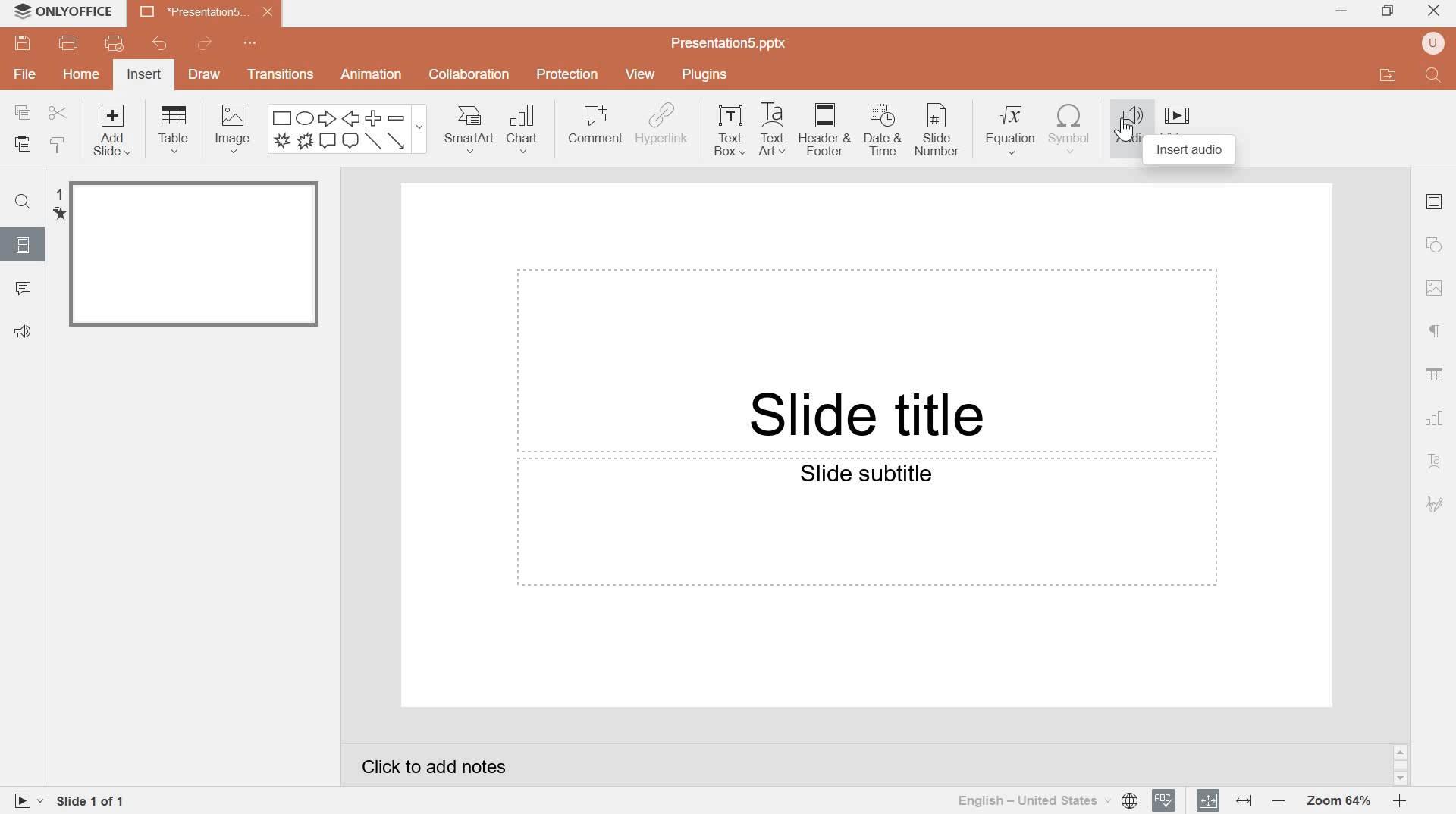 Image resolution: width=1456 pixels, height=814 pixels. What do you see at coordinates (1176, 115) in the screenshot?
I see `Video` at bounding box center [1176, 115].